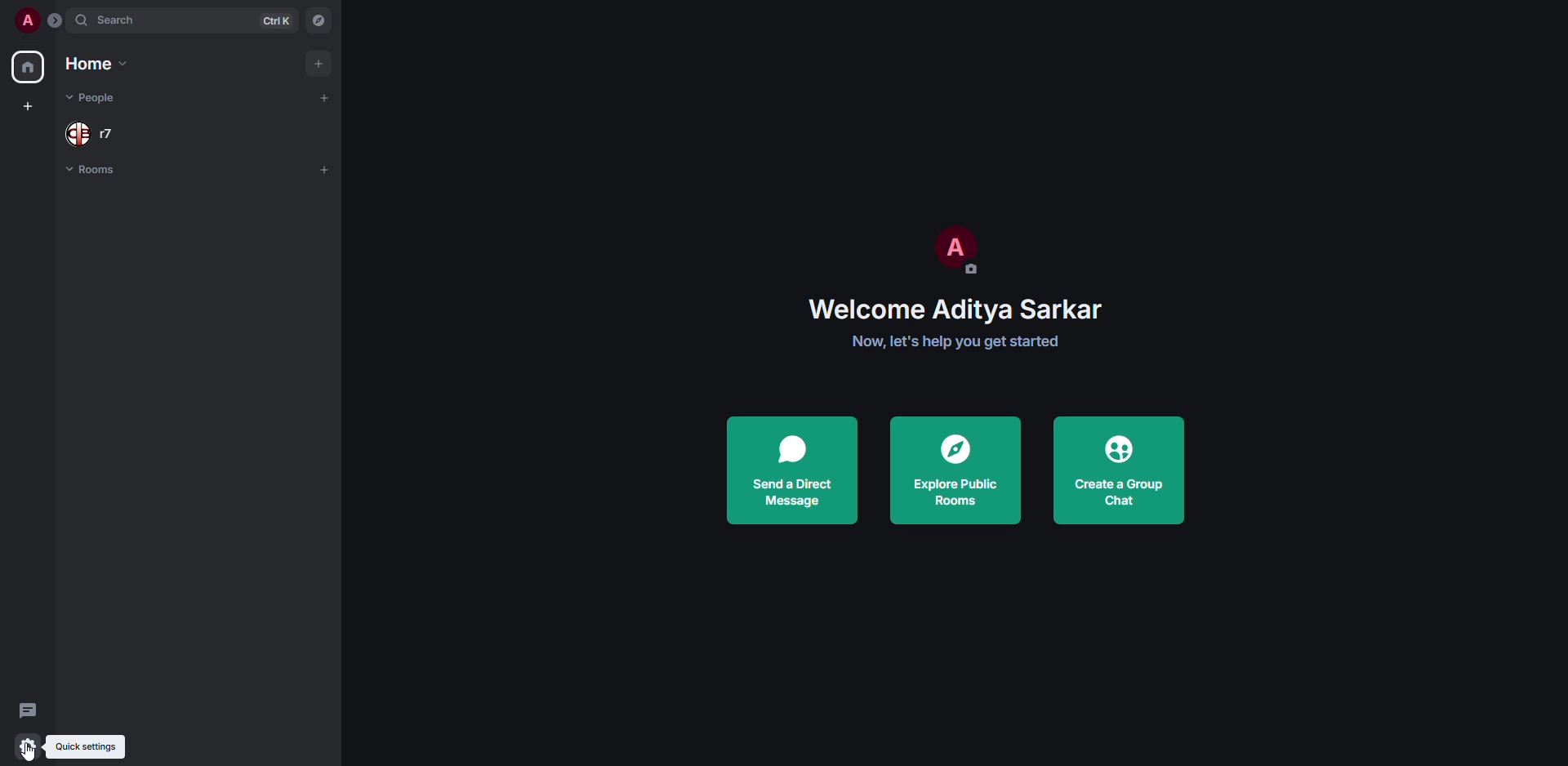  Describe the element at coordinates (96, 171) in the screenshot. I see `rooms` at that location.